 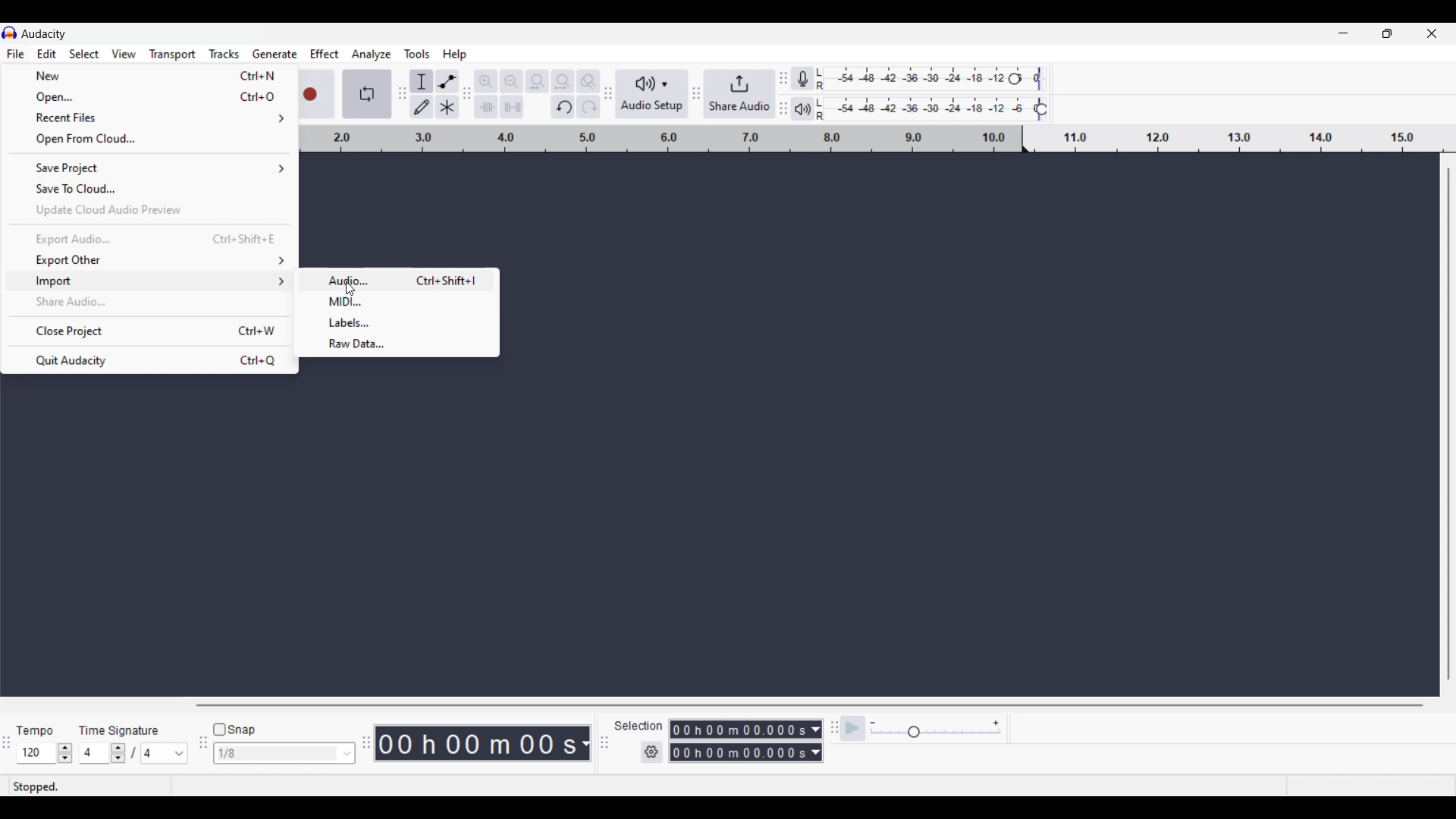 What do you see at coordinates (148, 331) in the screenshot?
I see `Close project   Ctrl+ W` at bounding box center [148, 331].